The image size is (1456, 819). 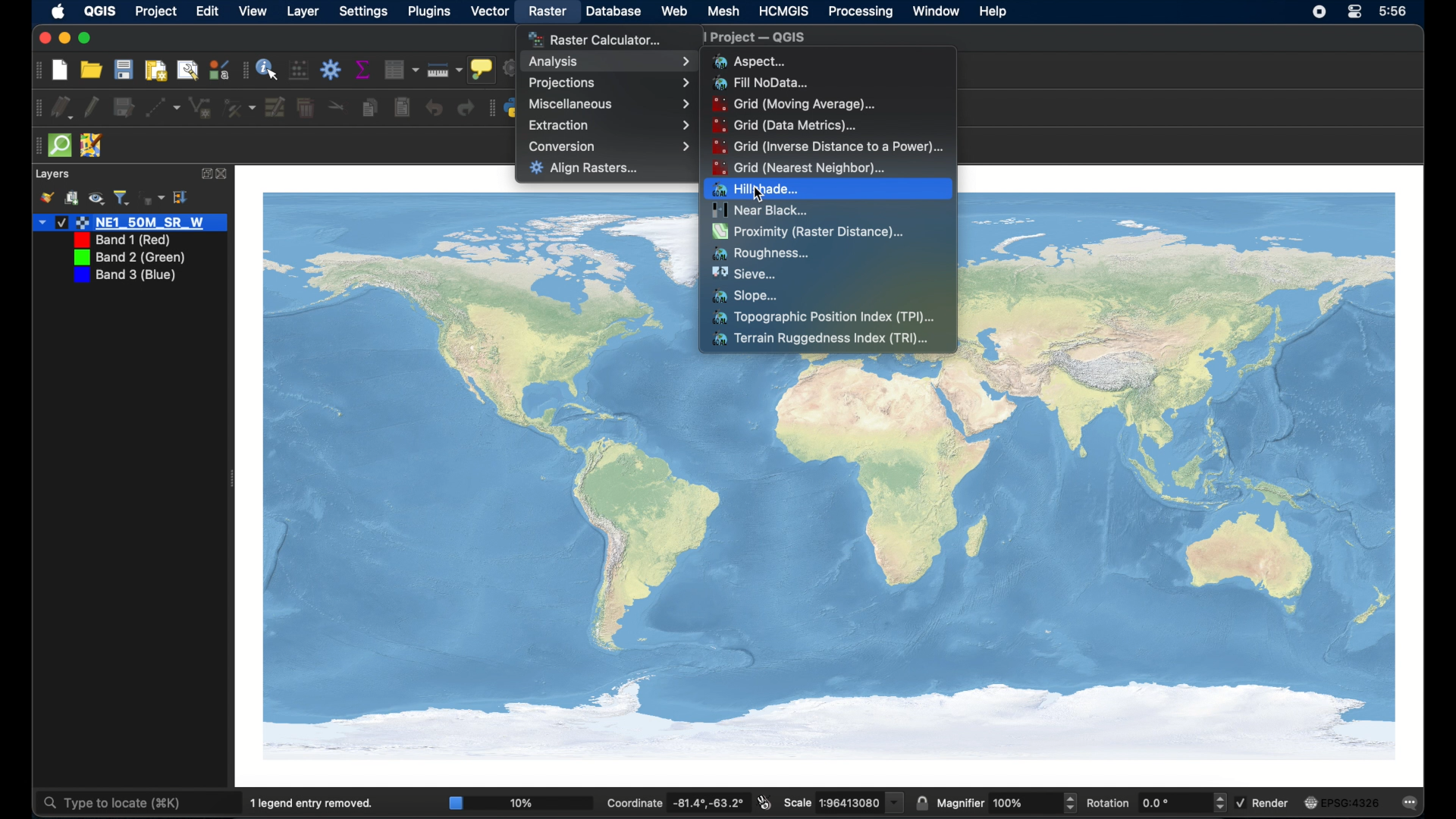 I want to click on edit, so click(x=209, y=11).